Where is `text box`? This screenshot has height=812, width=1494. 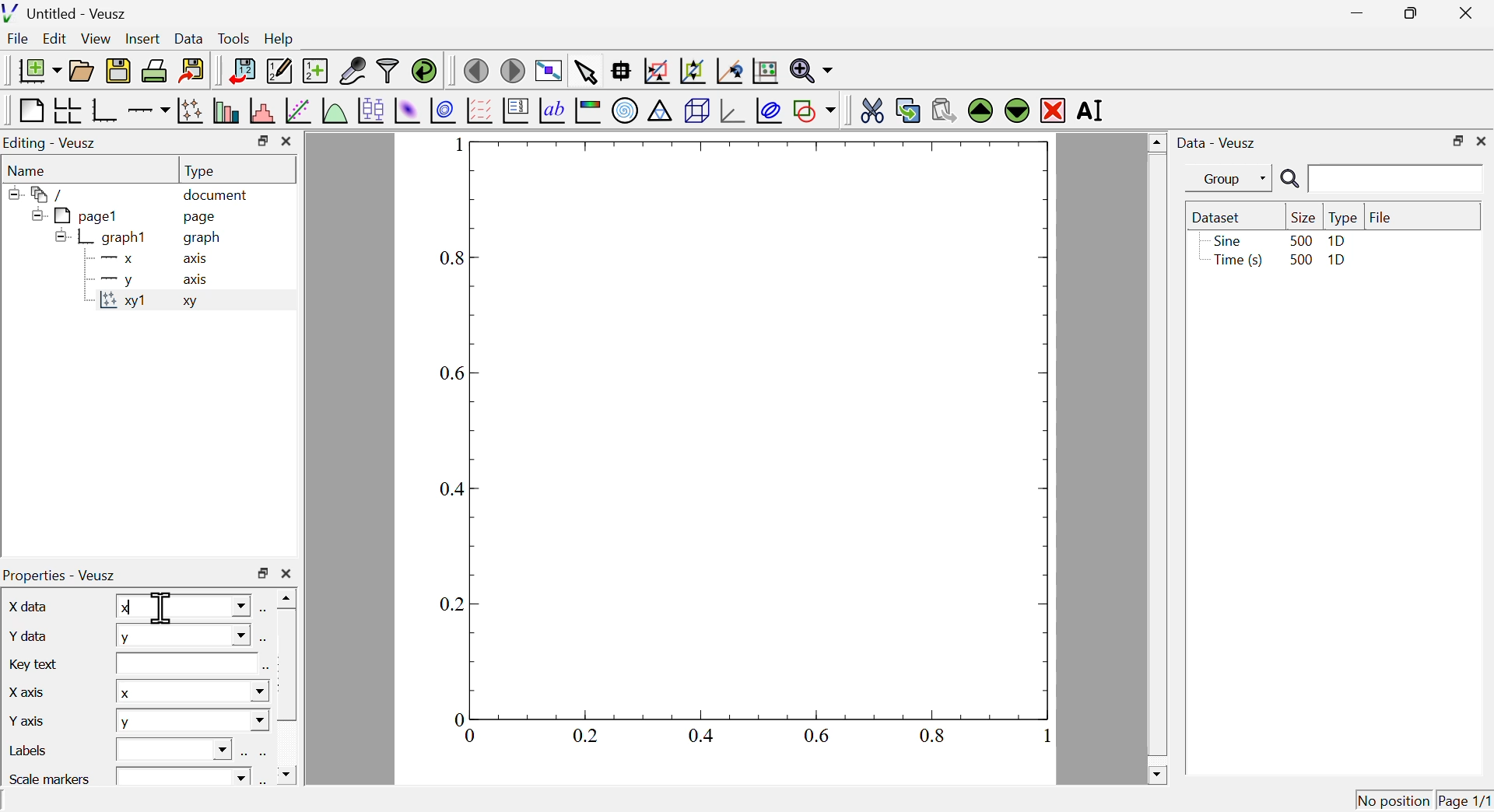 text box is located at coordinates (184, 775).